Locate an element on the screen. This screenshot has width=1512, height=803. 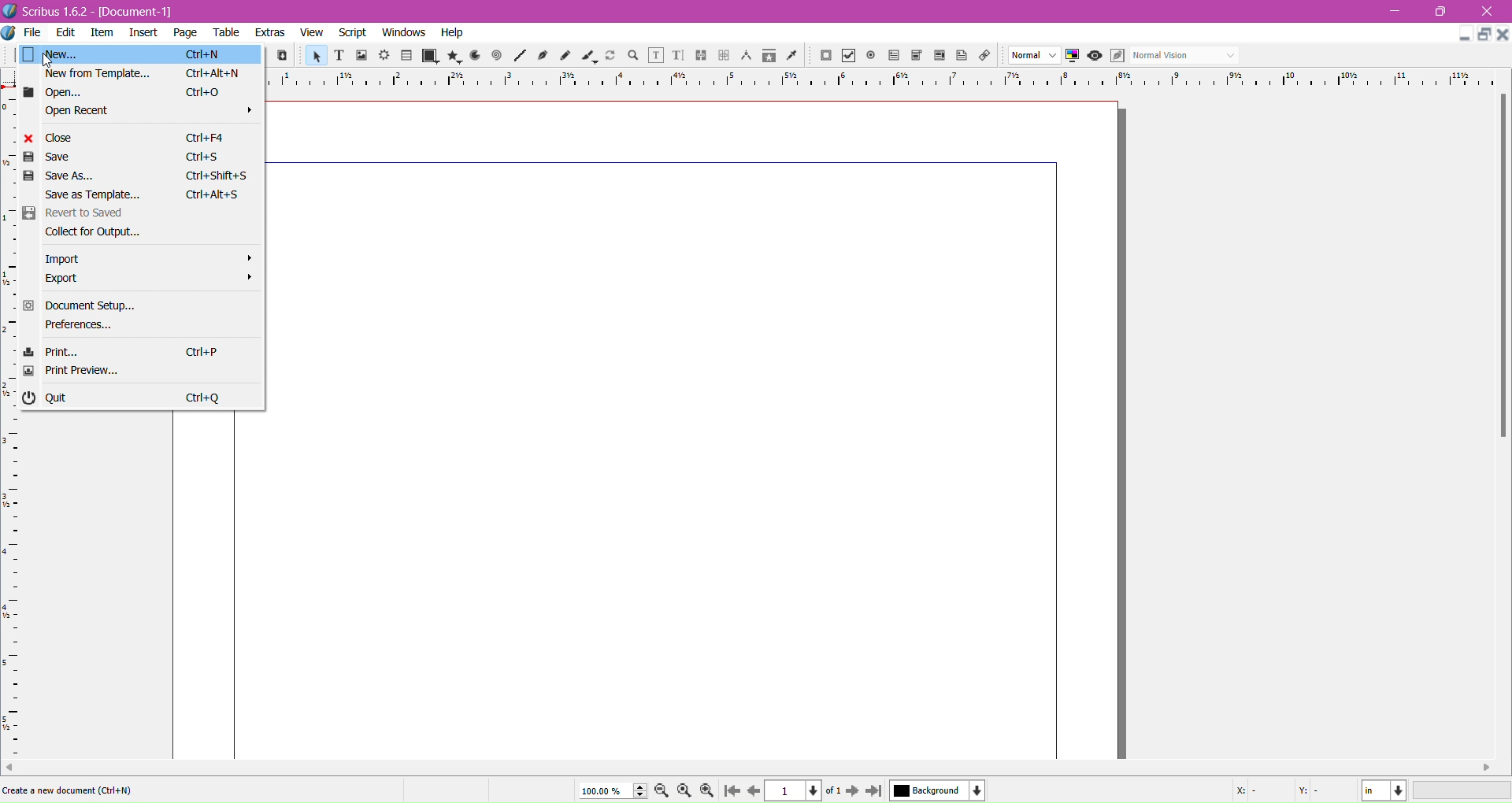
Script is located at coordinates (350, 33).